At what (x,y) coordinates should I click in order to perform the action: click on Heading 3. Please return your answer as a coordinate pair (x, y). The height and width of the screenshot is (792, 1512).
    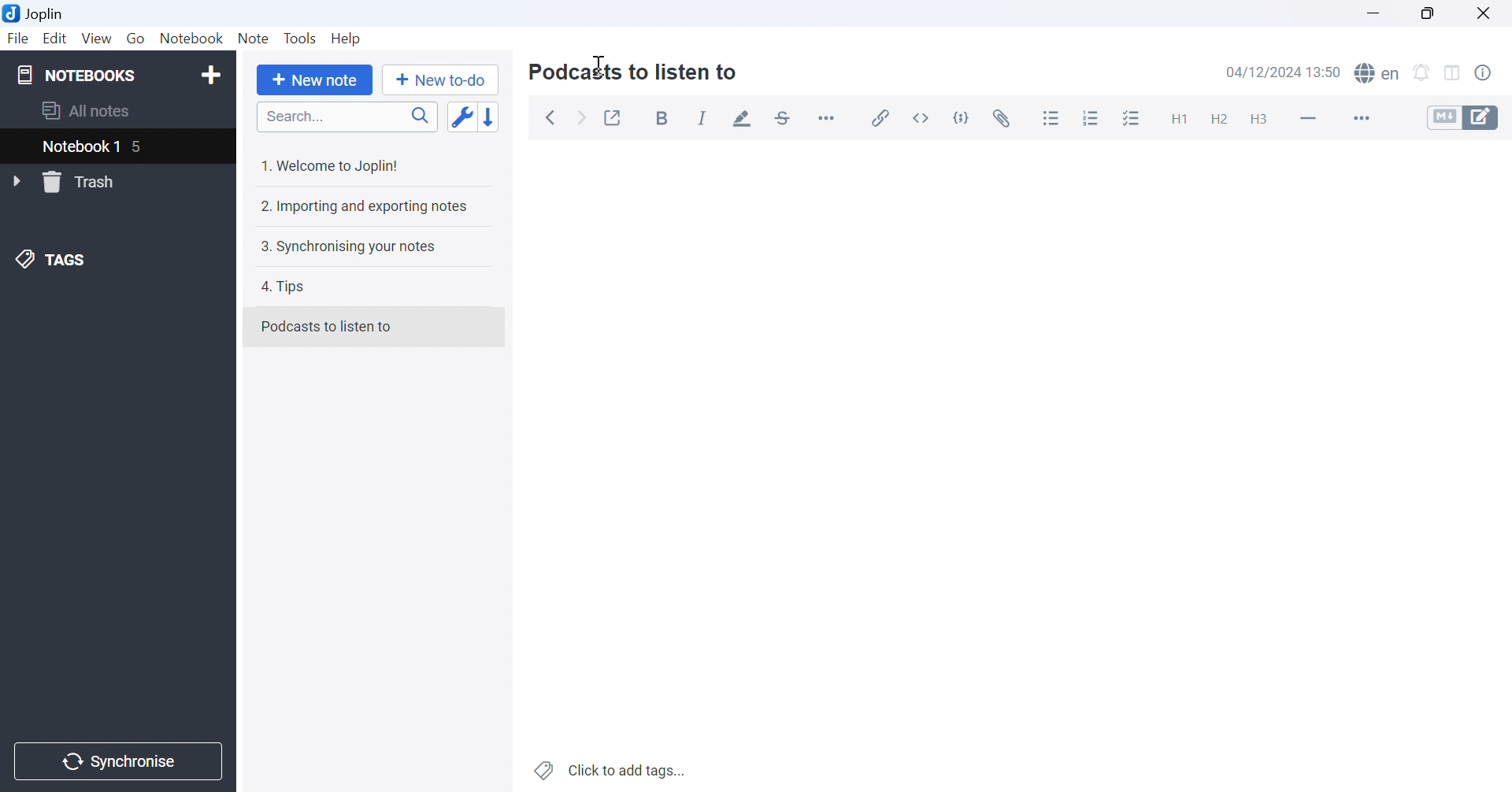
    Looking at the image, I should click on (1260, 120).